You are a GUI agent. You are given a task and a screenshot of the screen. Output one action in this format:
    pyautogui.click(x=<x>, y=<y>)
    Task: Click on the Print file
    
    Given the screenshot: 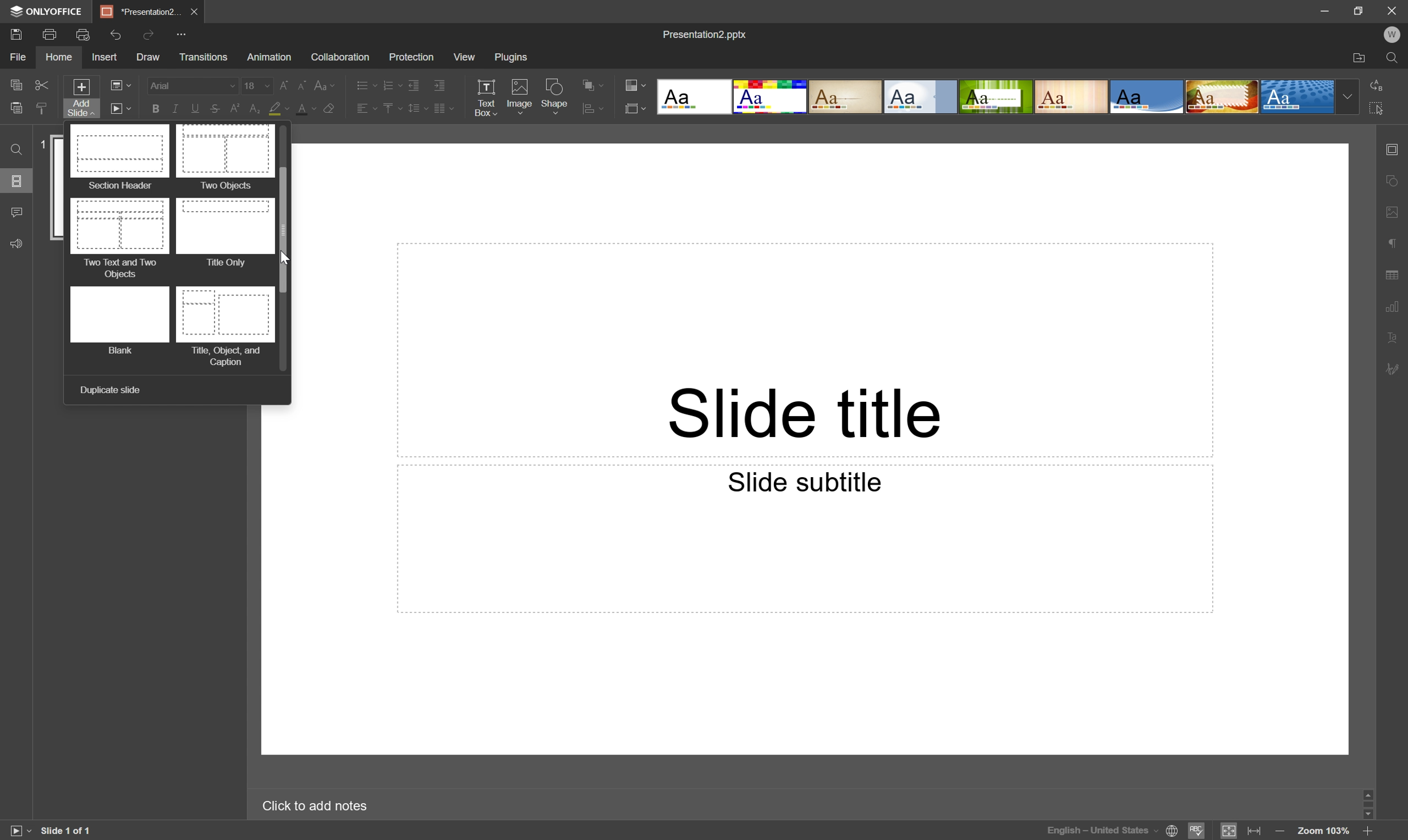 What is the action you would take?
    pyautogui.click(x=50, y=35)
    